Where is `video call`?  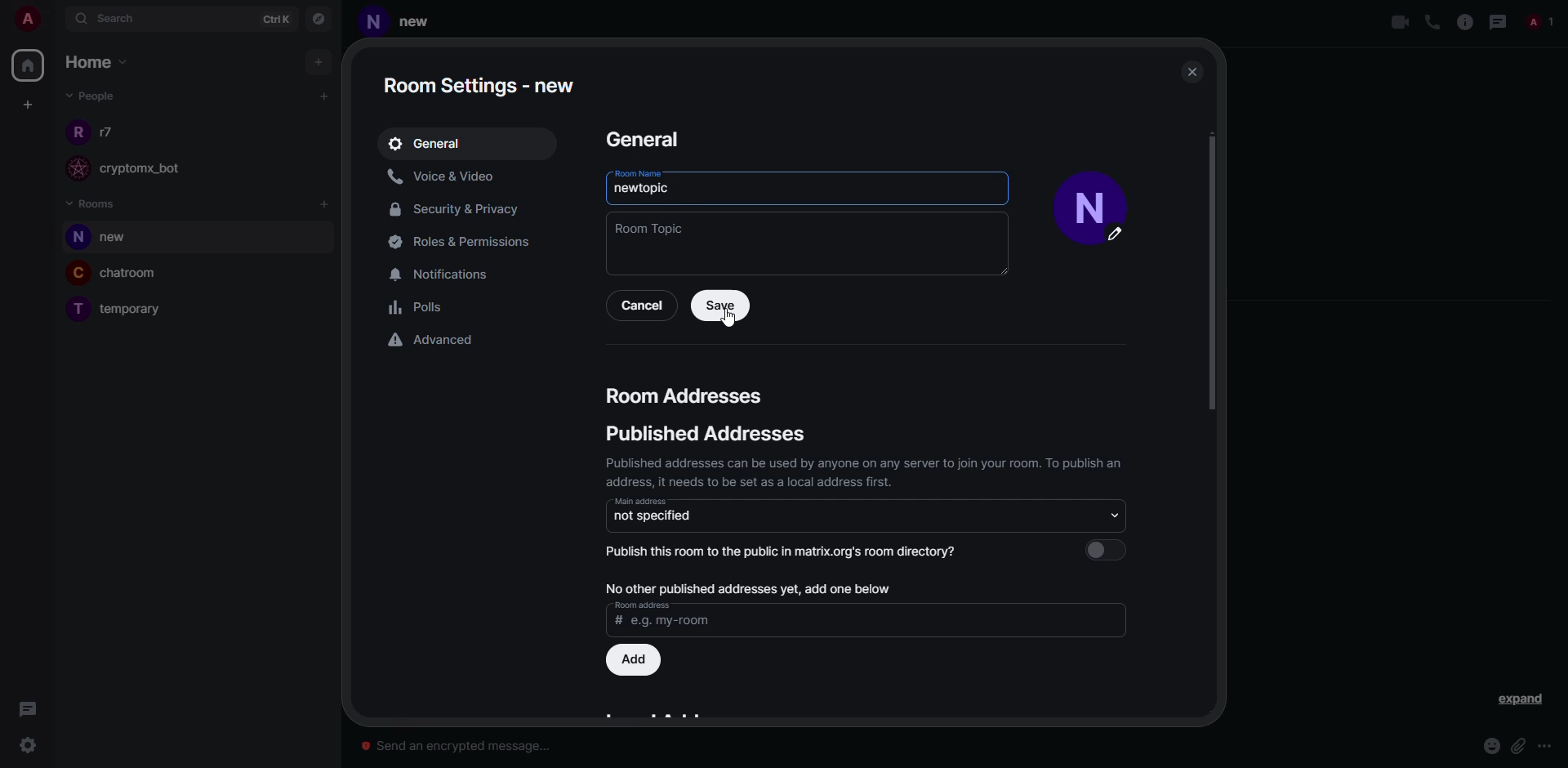 video call is located at coordinates (1398, 22).